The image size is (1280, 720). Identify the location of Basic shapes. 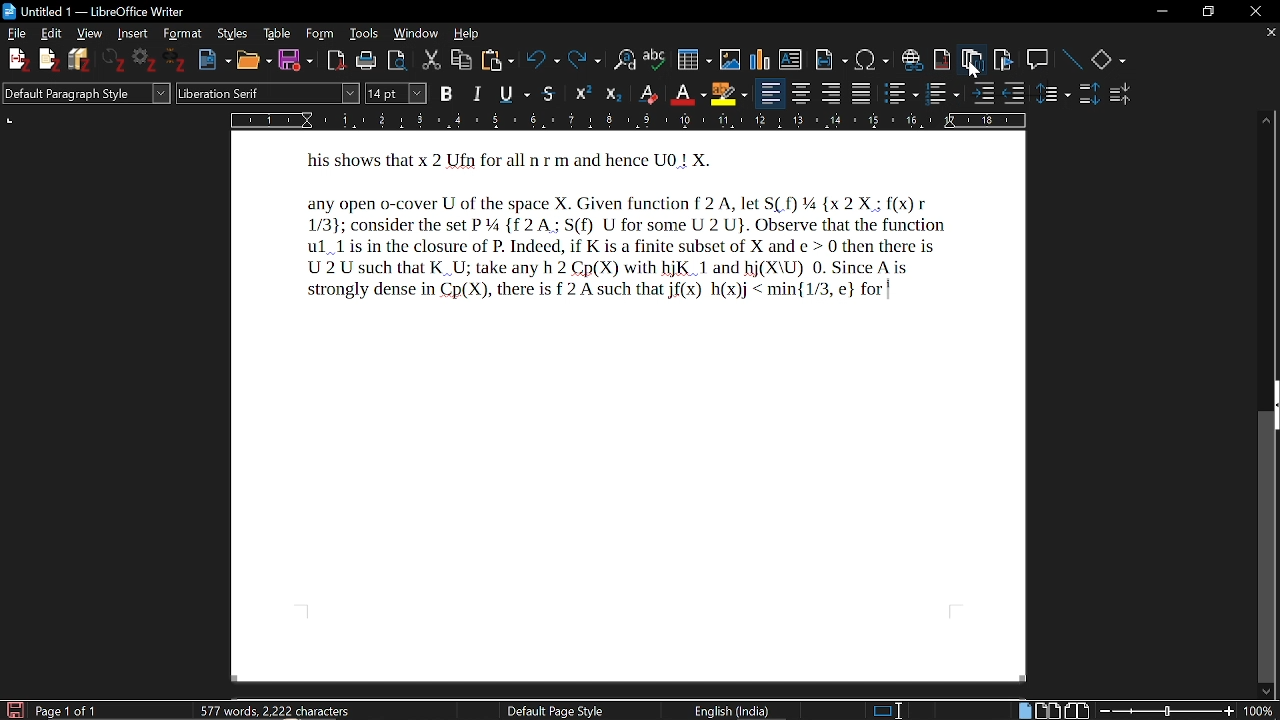
(1108, 61).